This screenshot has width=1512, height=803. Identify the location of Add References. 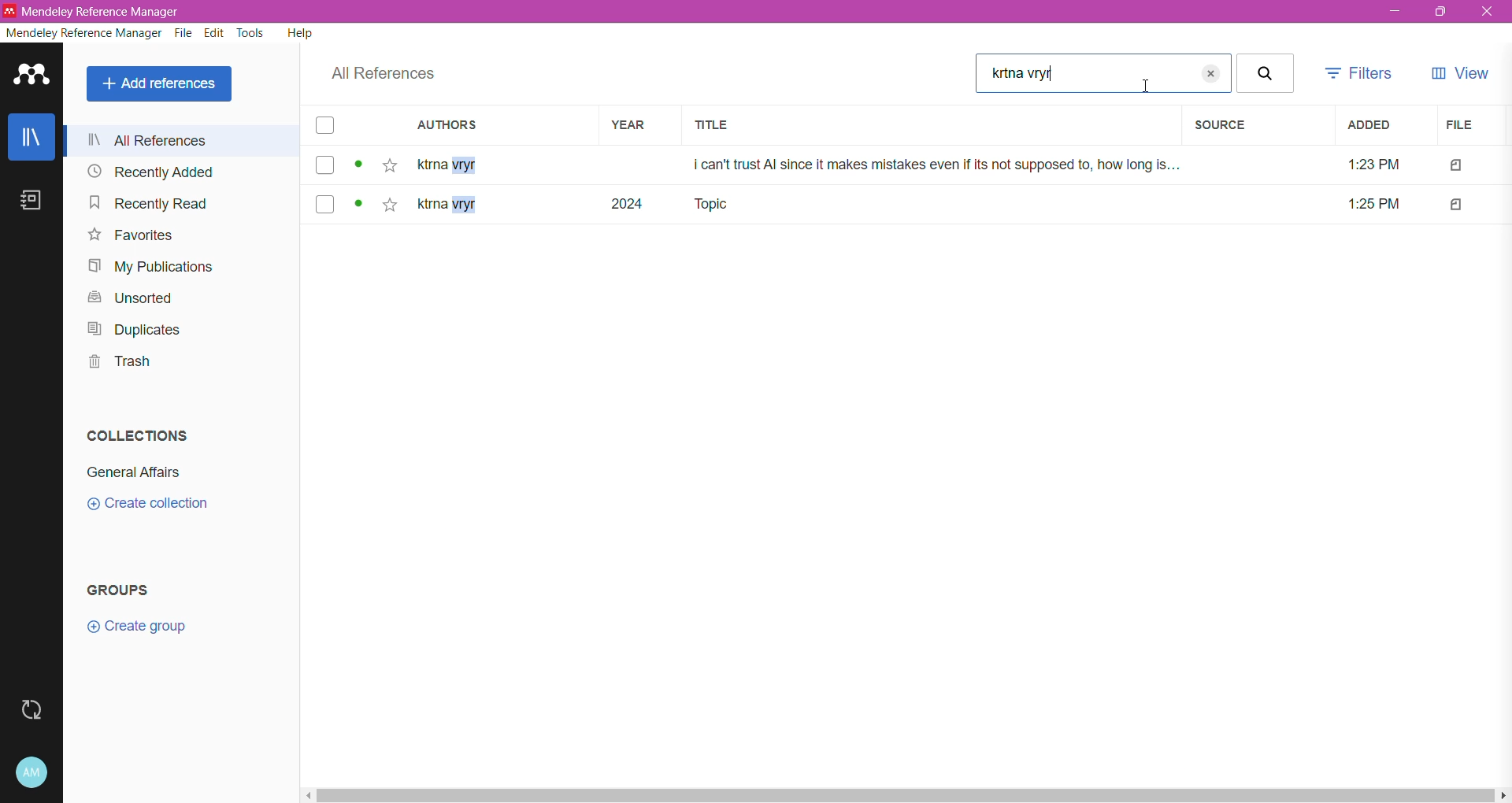
(159, 84).